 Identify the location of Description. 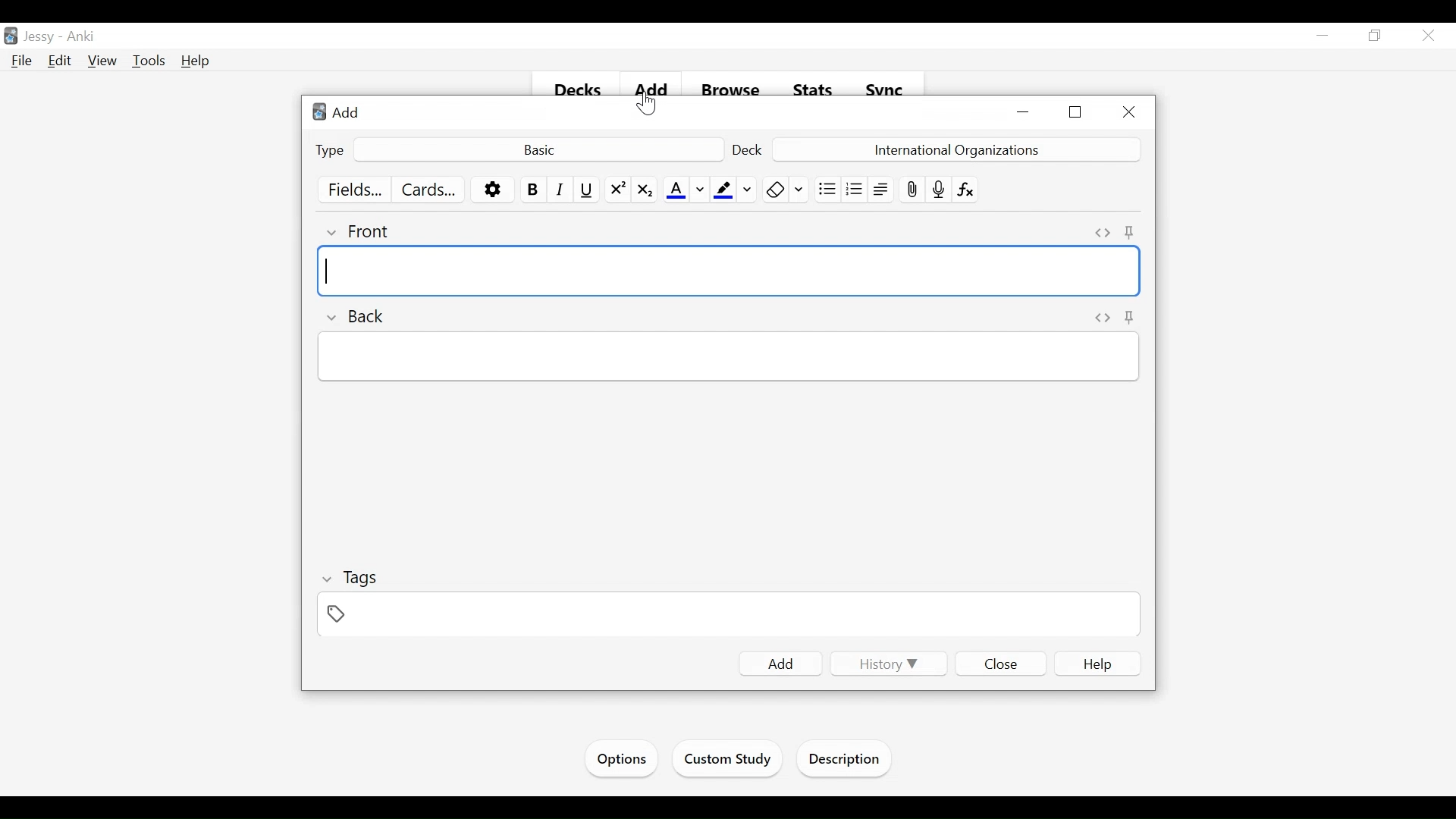
(846, 761).